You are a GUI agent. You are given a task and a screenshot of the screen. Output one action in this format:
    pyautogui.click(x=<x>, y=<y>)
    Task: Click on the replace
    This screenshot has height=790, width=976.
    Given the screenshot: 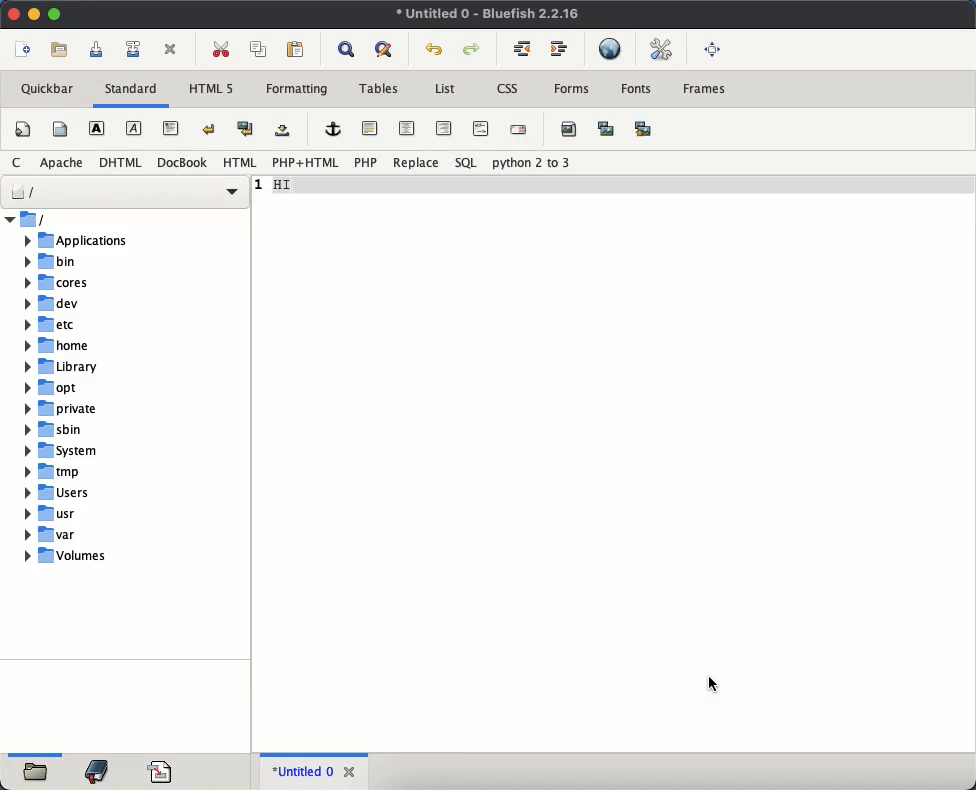 What is the action you would take?
    pyautogui.click(x=417, y=162)
    